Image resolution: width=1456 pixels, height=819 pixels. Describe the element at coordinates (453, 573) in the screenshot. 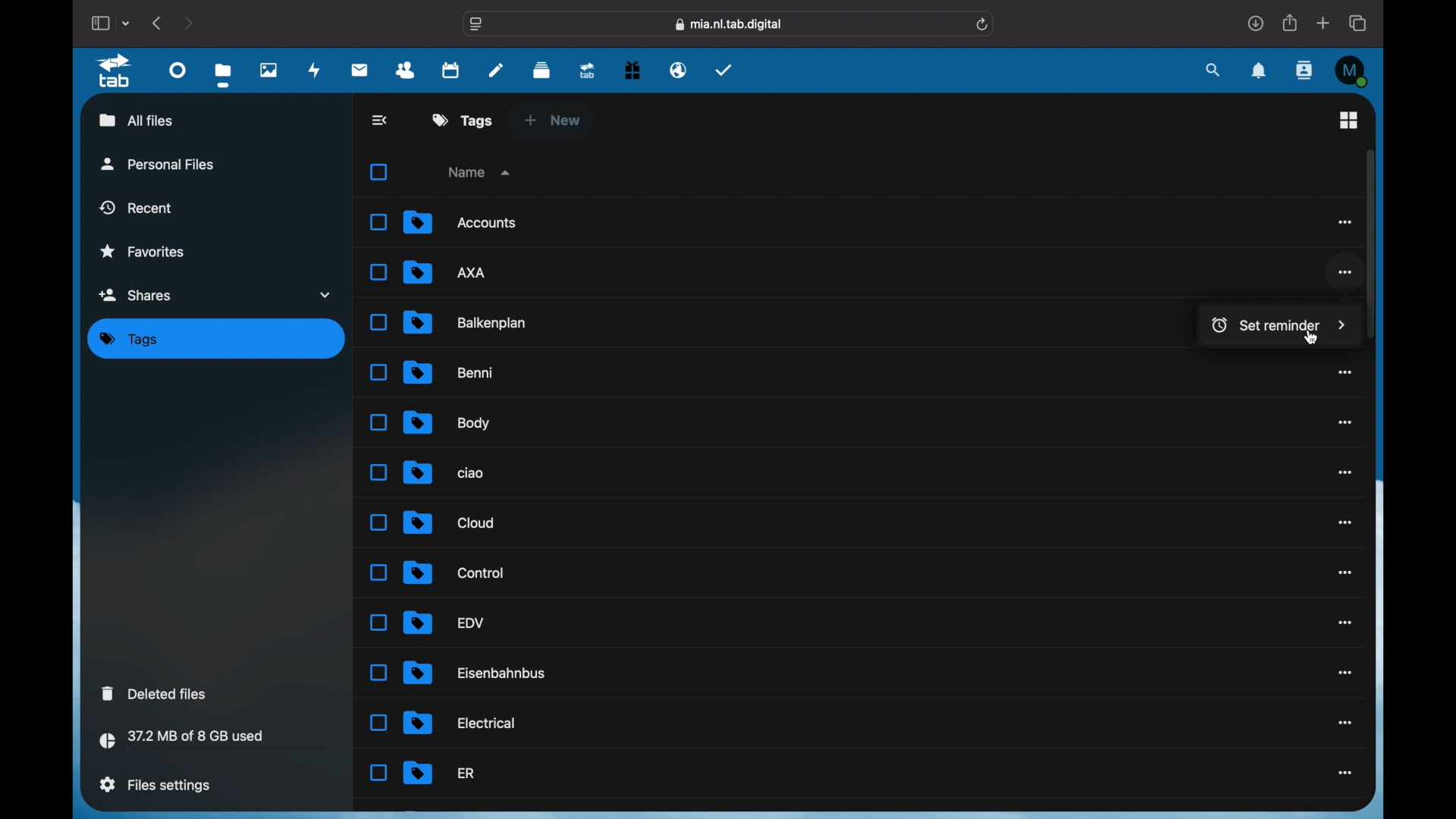

I see `file` at that location.